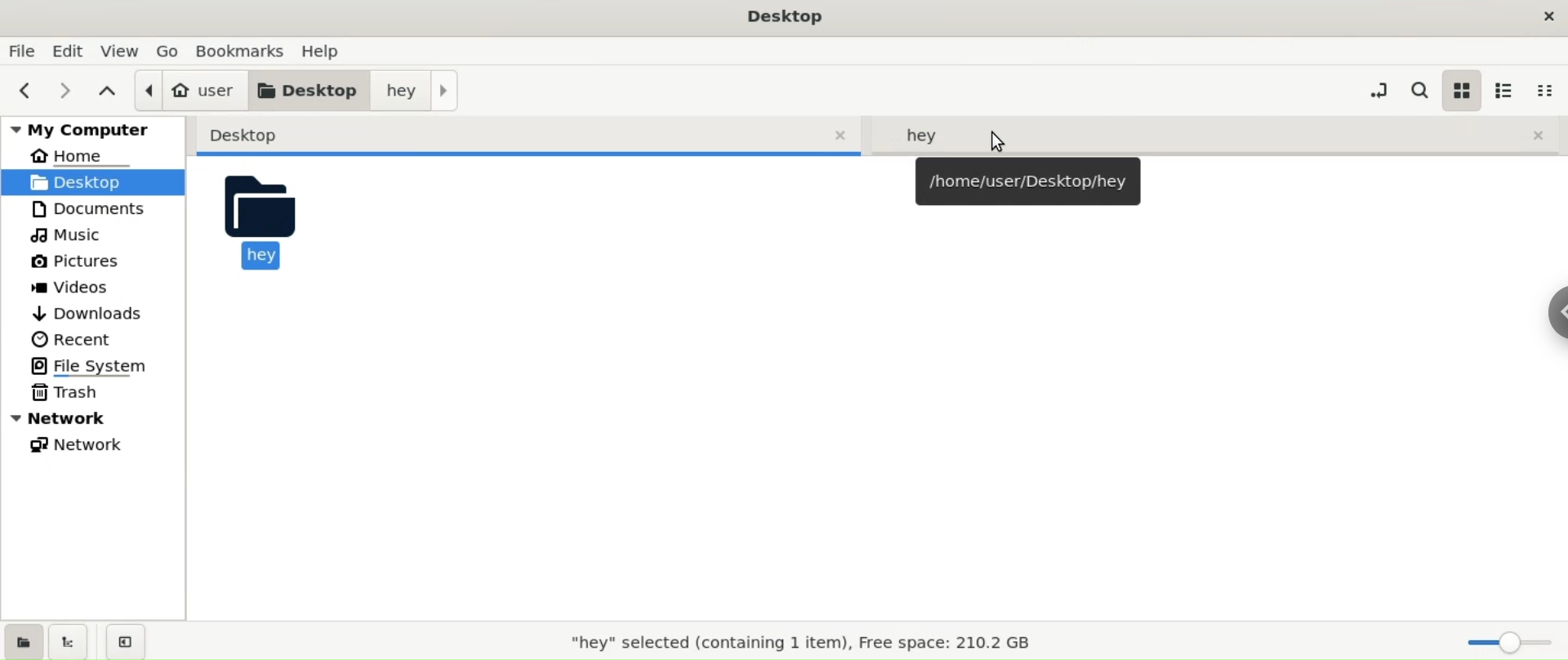  What do you see at coordinates (66, 51) in the screenshot?
I see `edit` at bounding box center [66, 51].